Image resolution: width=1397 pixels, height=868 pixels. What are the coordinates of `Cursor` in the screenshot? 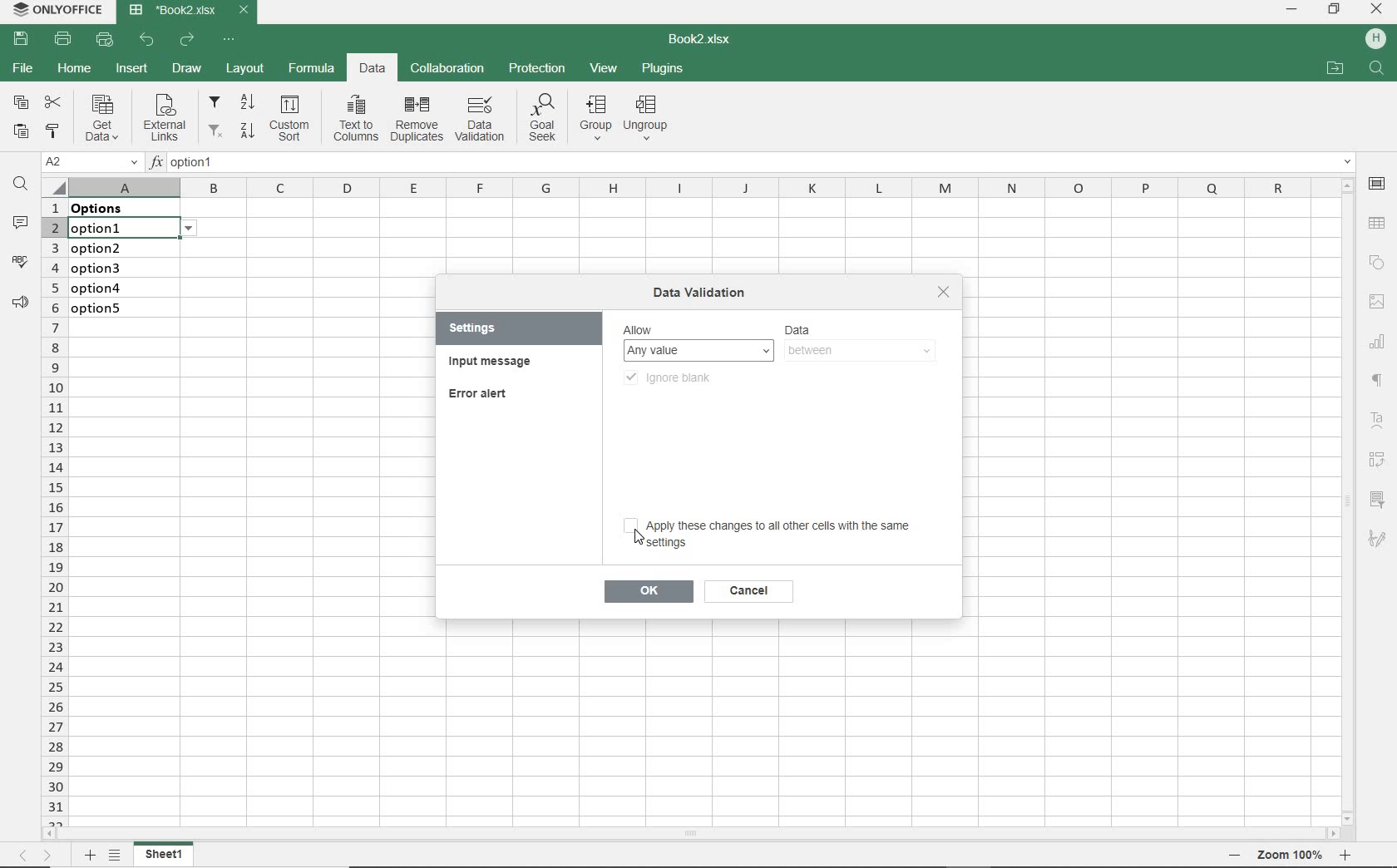 It's located at (644, 538).